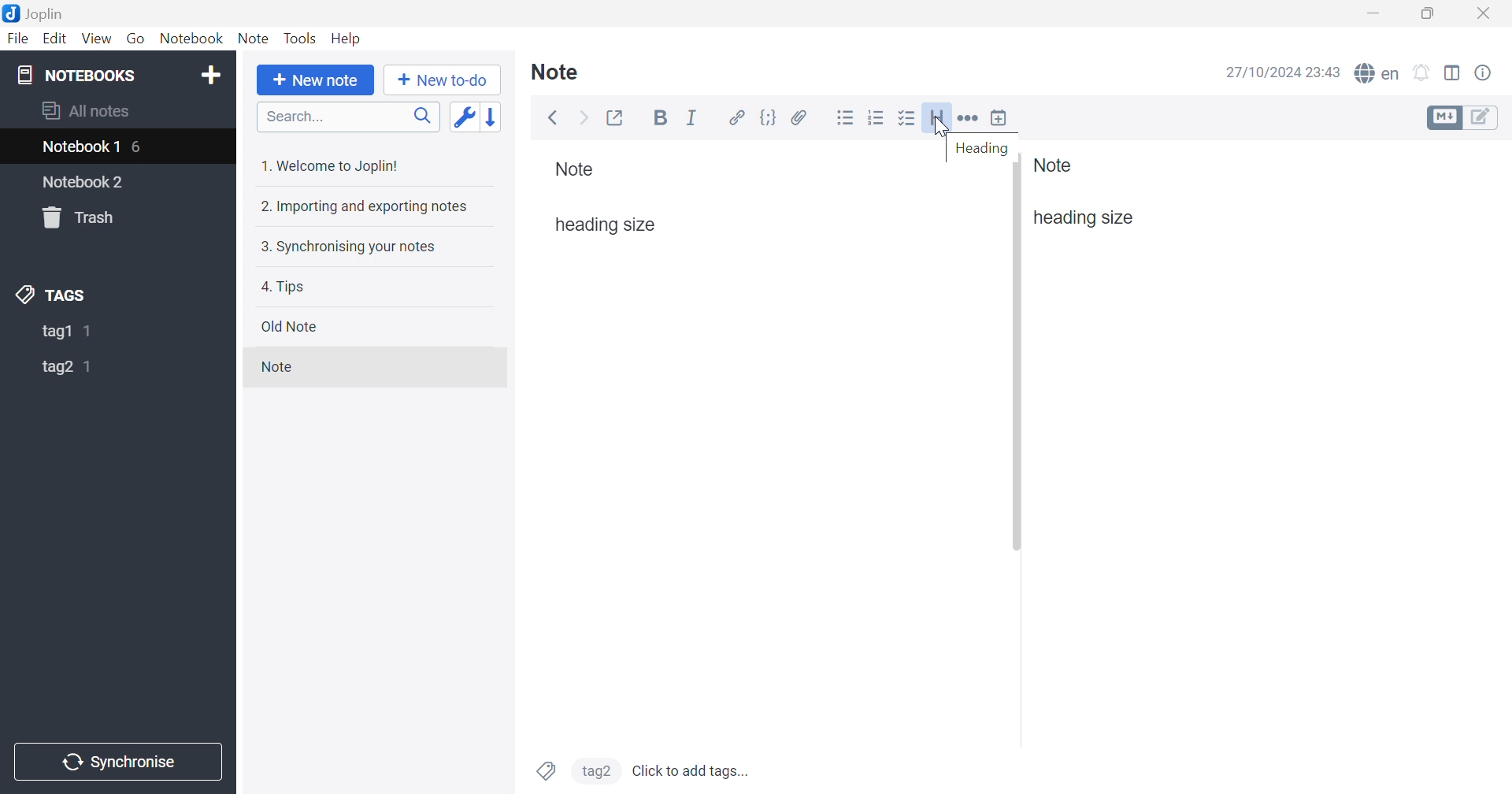  Describe the element at coordinates (291, 326) in the screenshot. I see `Old Note` at that location.